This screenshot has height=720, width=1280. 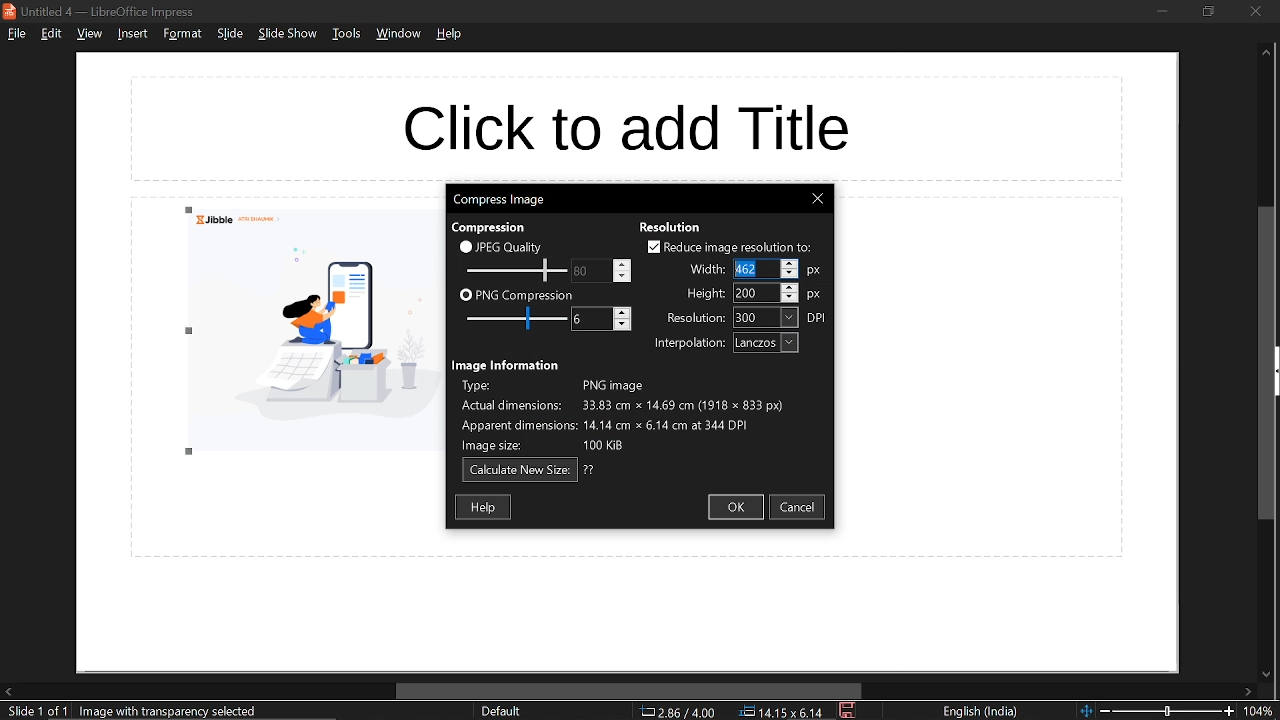 What do you see at coordinates (1162, 10) in the screenshot?
I see `minimize` at bounding box center [1162, 10].